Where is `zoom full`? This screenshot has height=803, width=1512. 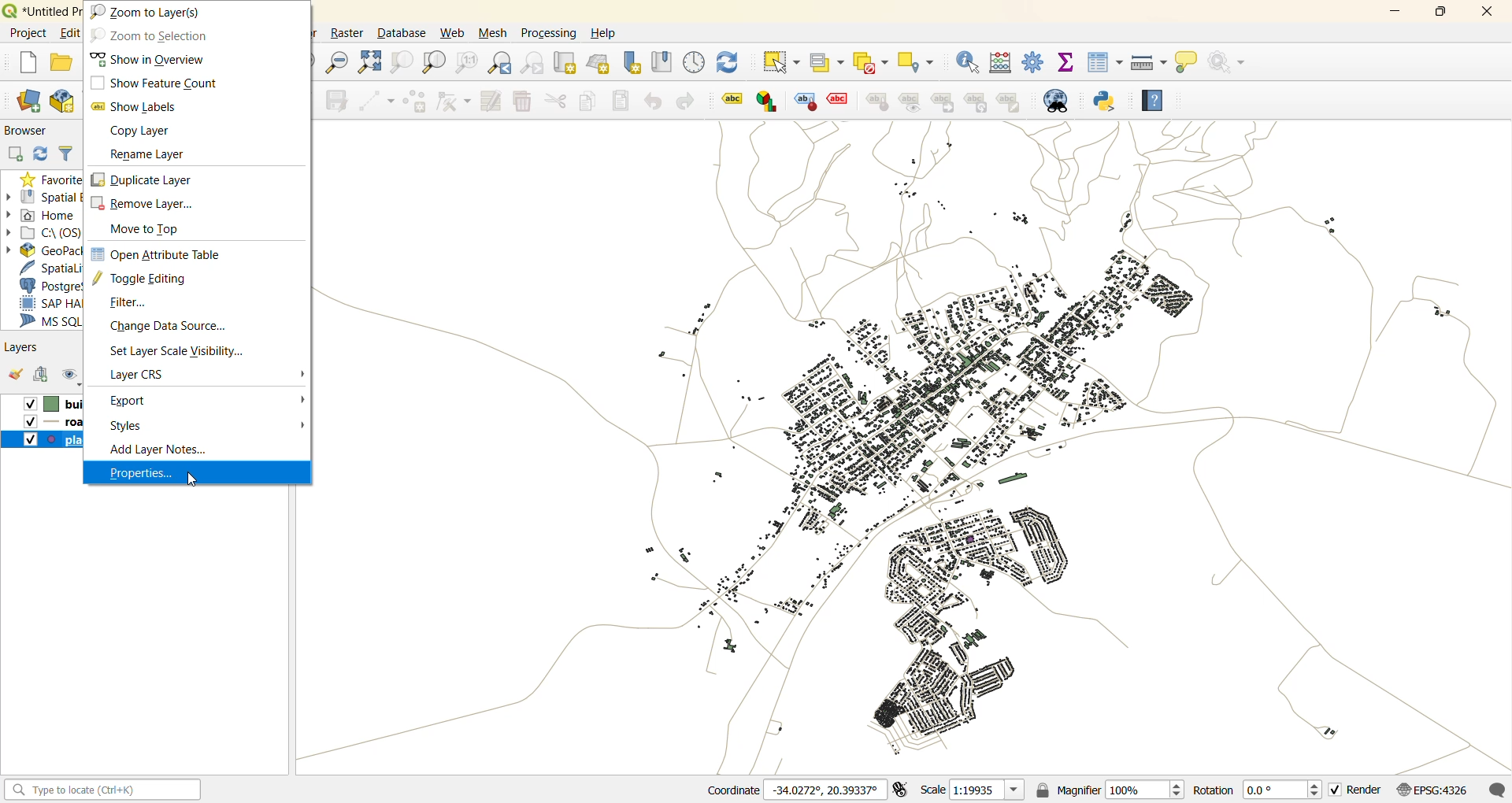
zoom full is located at coordinates (368, 61).